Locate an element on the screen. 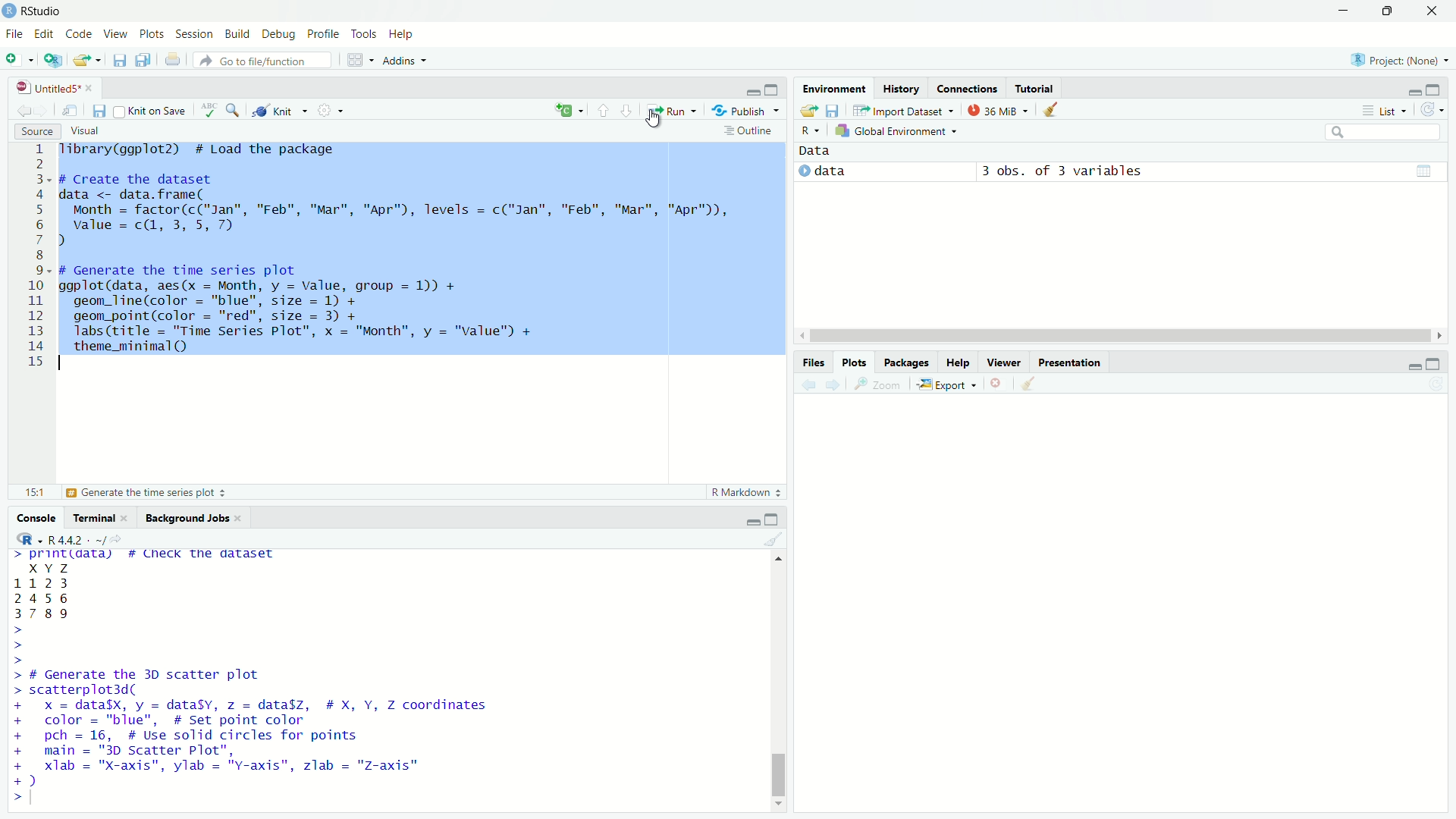 The image size is (1456, 819). R 4.4.2 . ~/ is located at coordinates (77, 539).